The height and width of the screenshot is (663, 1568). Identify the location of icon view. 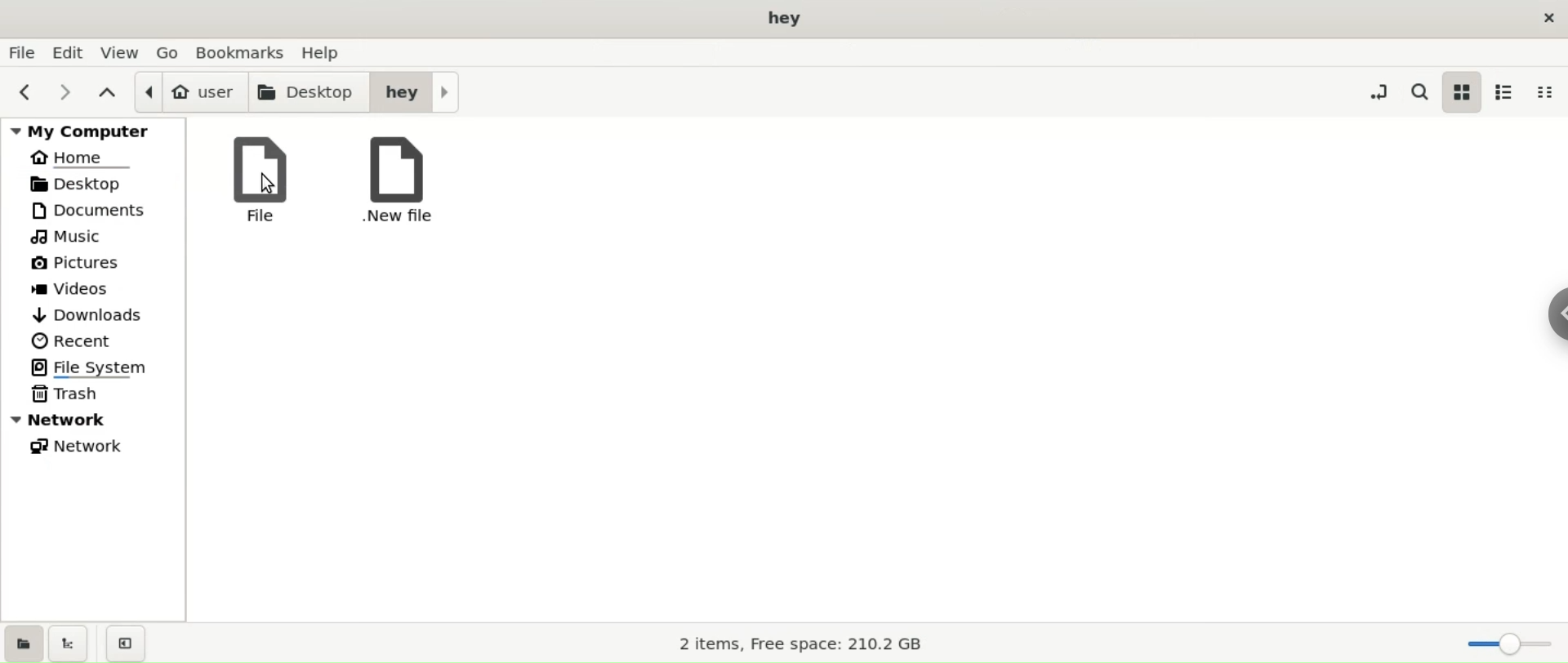
(1463, 93).